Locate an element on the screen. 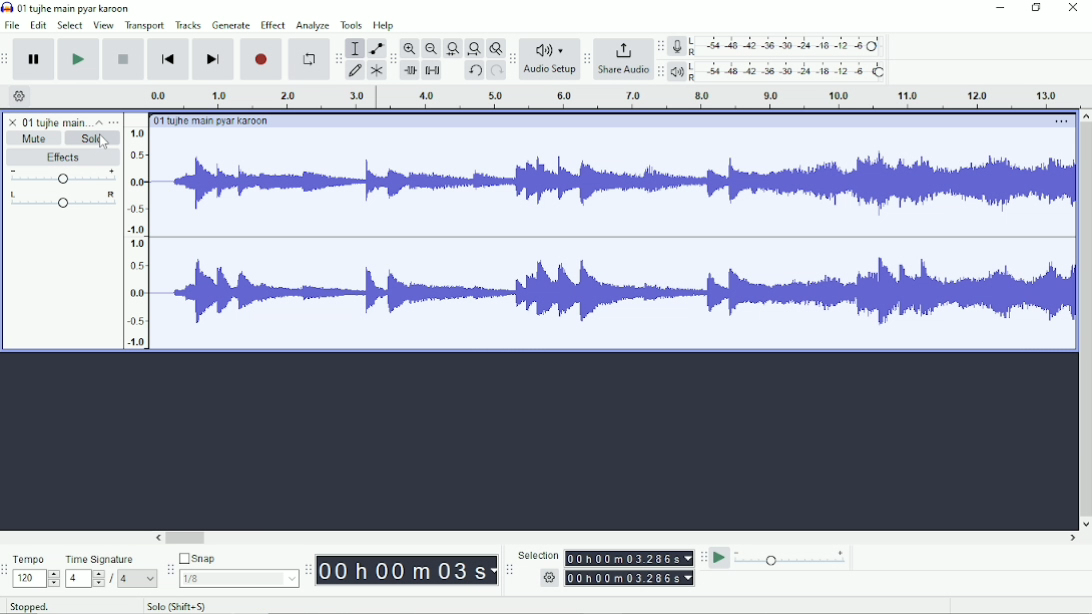 The width and height of the screenshot is (1092, 614). Silence audio selection is located at coordinates (432, 70).